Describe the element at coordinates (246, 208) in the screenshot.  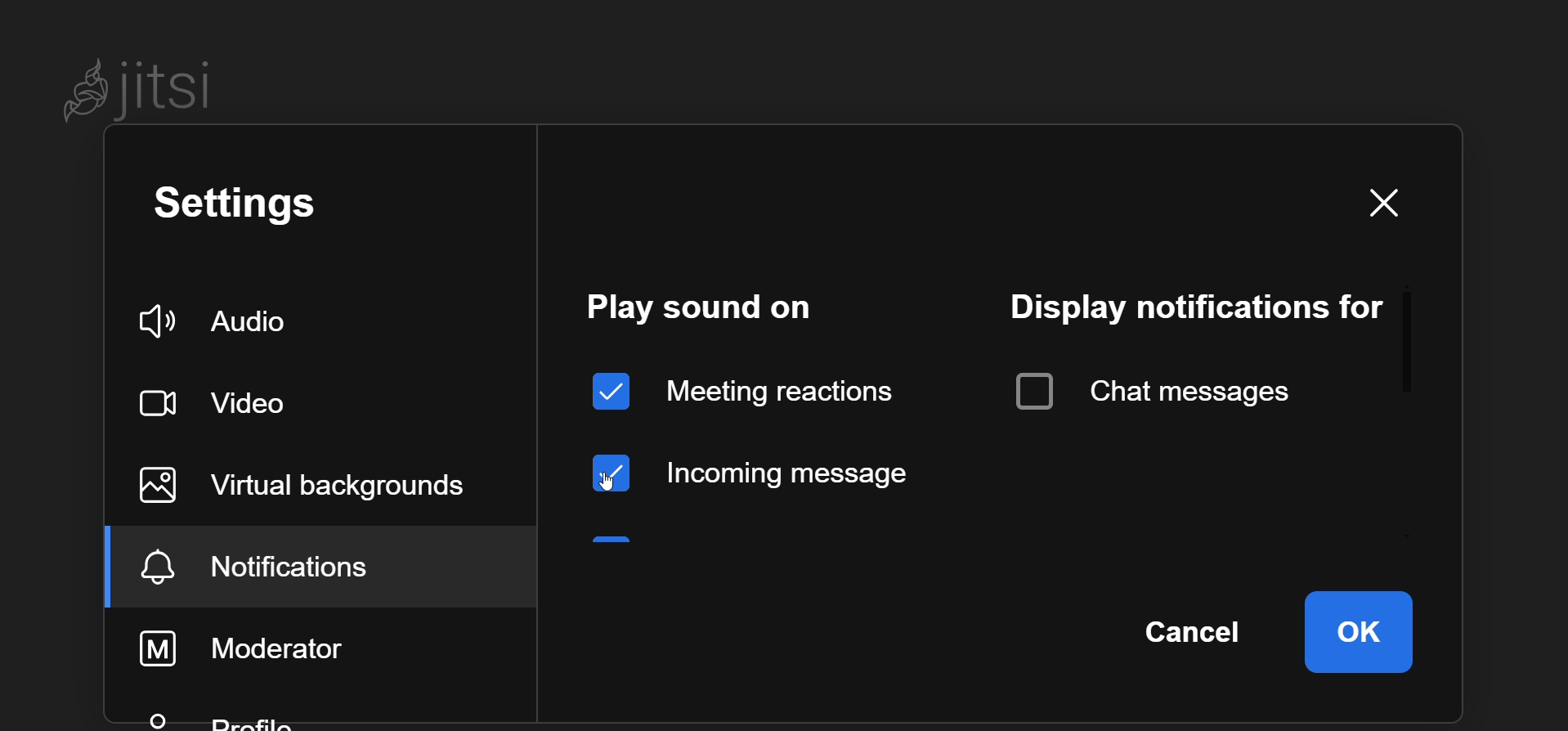
I see `setting` at that location.